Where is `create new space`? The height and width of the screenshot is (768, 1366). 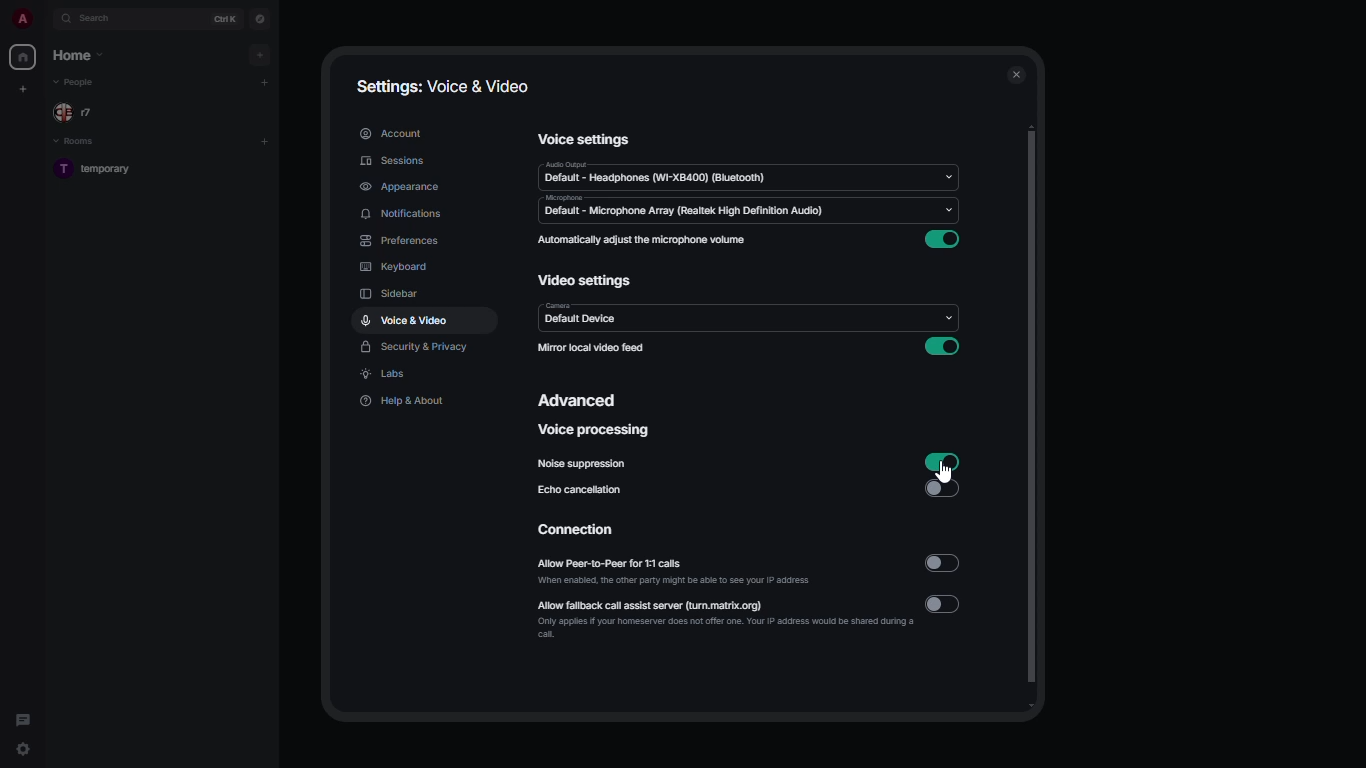
create new space is located at coordinates (24, 88).